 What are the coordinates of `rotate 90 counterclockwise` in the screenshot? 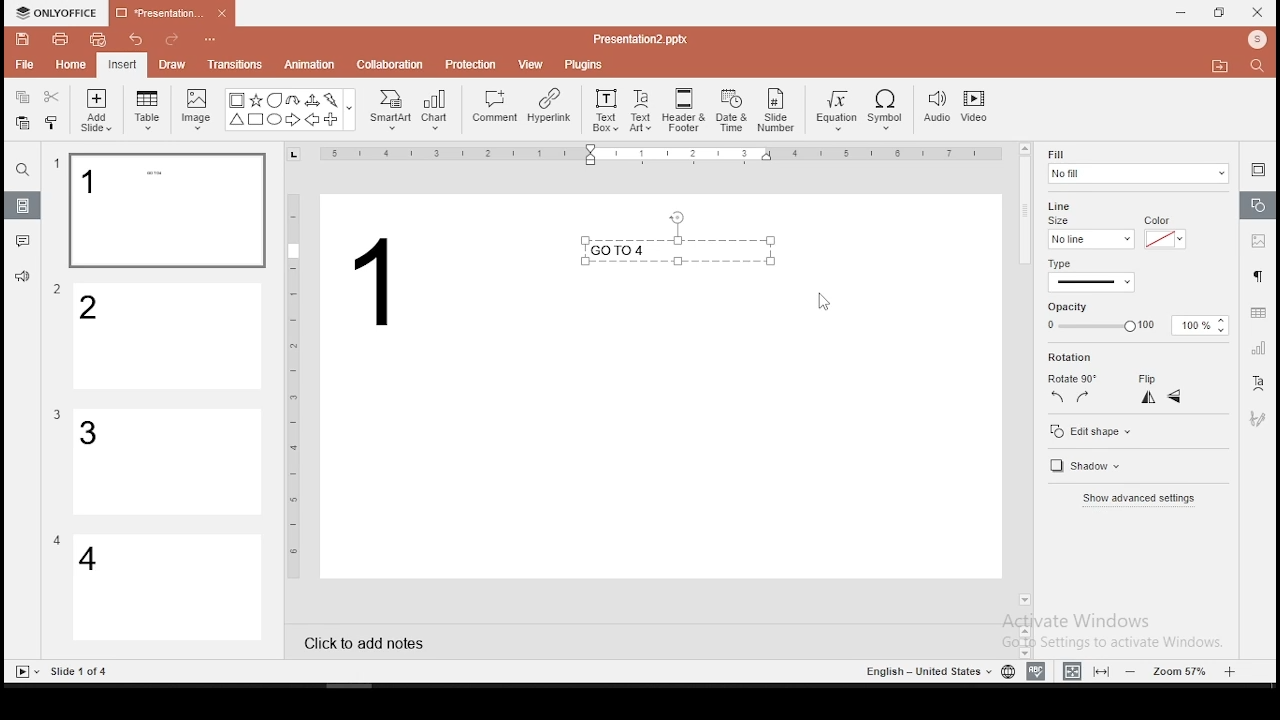 It's located at (1058, 396).